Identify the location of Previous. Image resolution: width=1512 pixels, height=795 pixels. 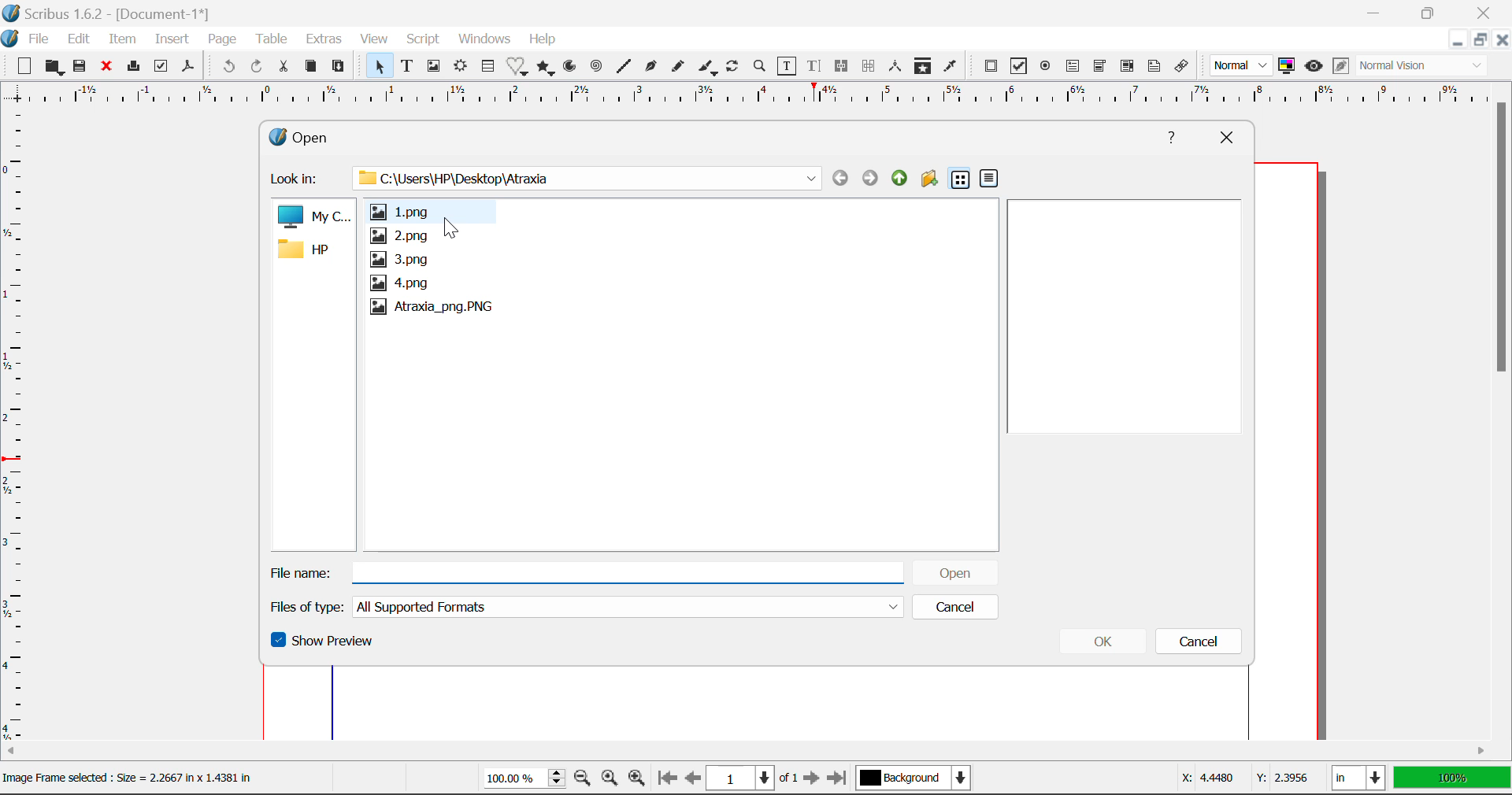
(840, 179).